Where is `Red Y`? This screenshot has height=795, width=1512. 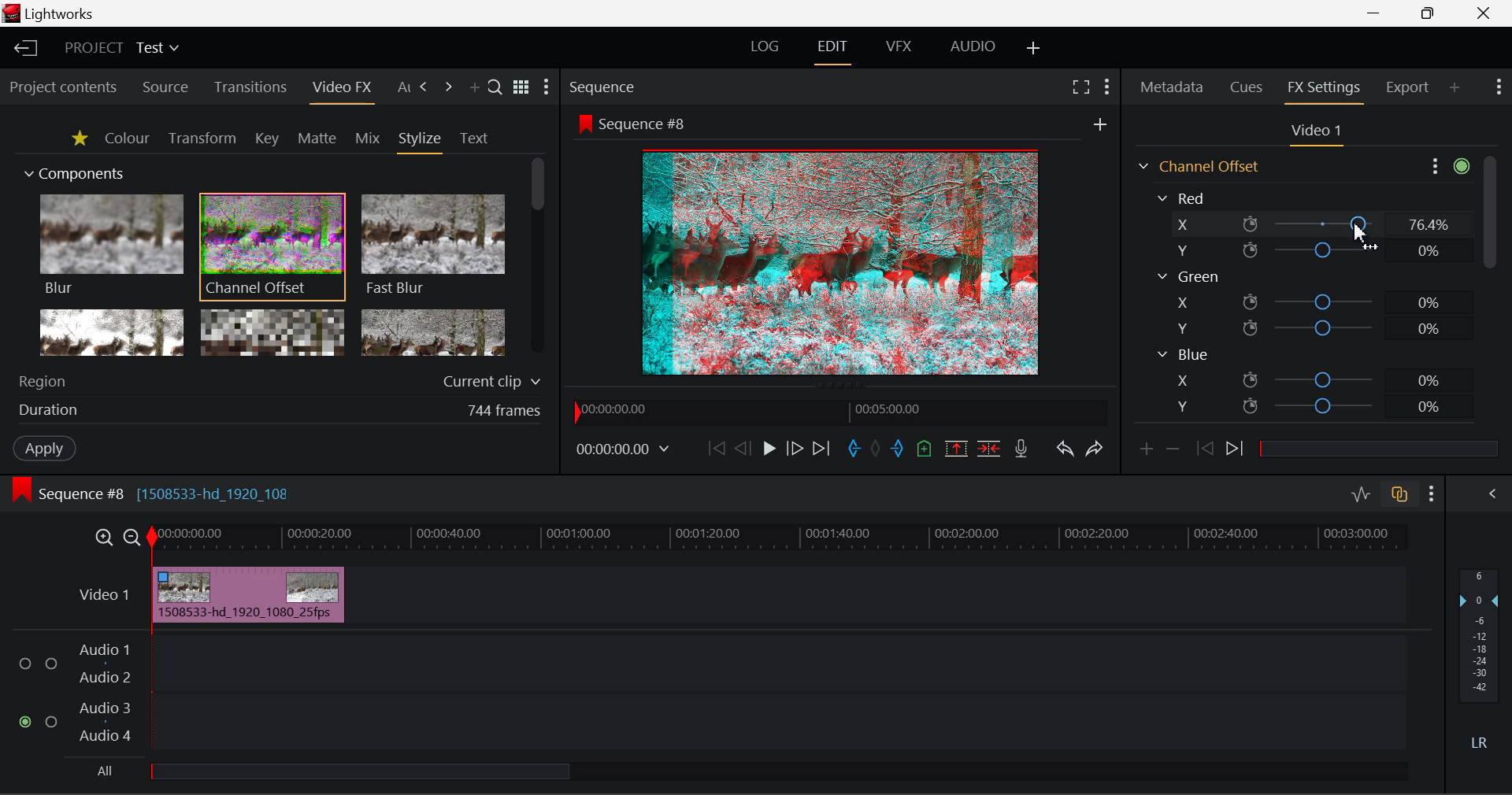
Red Y is located at coordinates (1306, 250).